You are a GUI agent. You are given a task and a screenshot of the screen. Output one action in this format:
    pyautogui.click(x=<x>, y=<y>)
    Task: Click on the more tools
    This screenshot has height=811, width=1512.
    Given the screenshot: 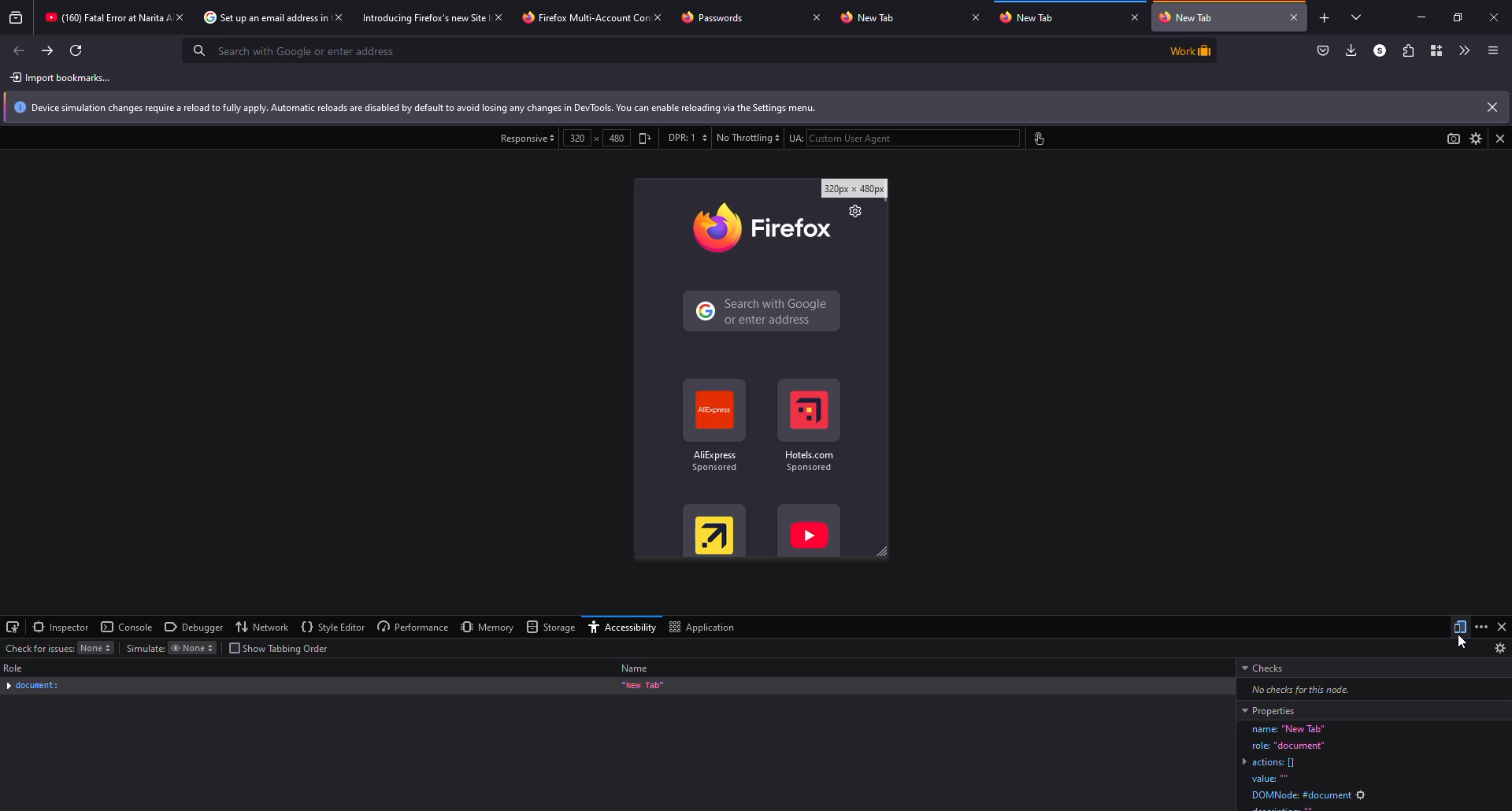 What is the action you would take?
    pyautogui.click(x=1462, y=50)
    